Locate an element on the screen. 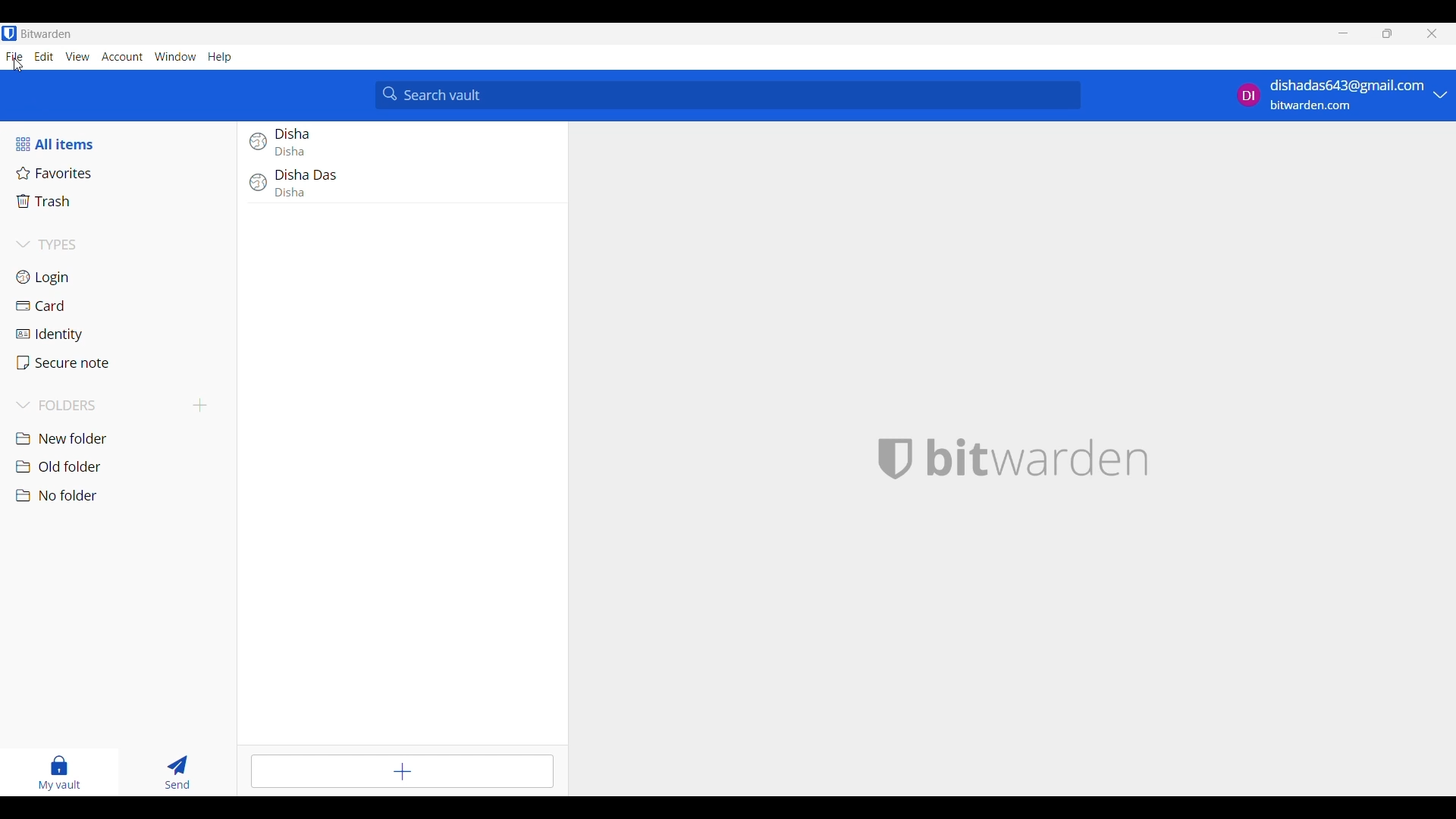  Window menu is located at coordinates (175, 57).